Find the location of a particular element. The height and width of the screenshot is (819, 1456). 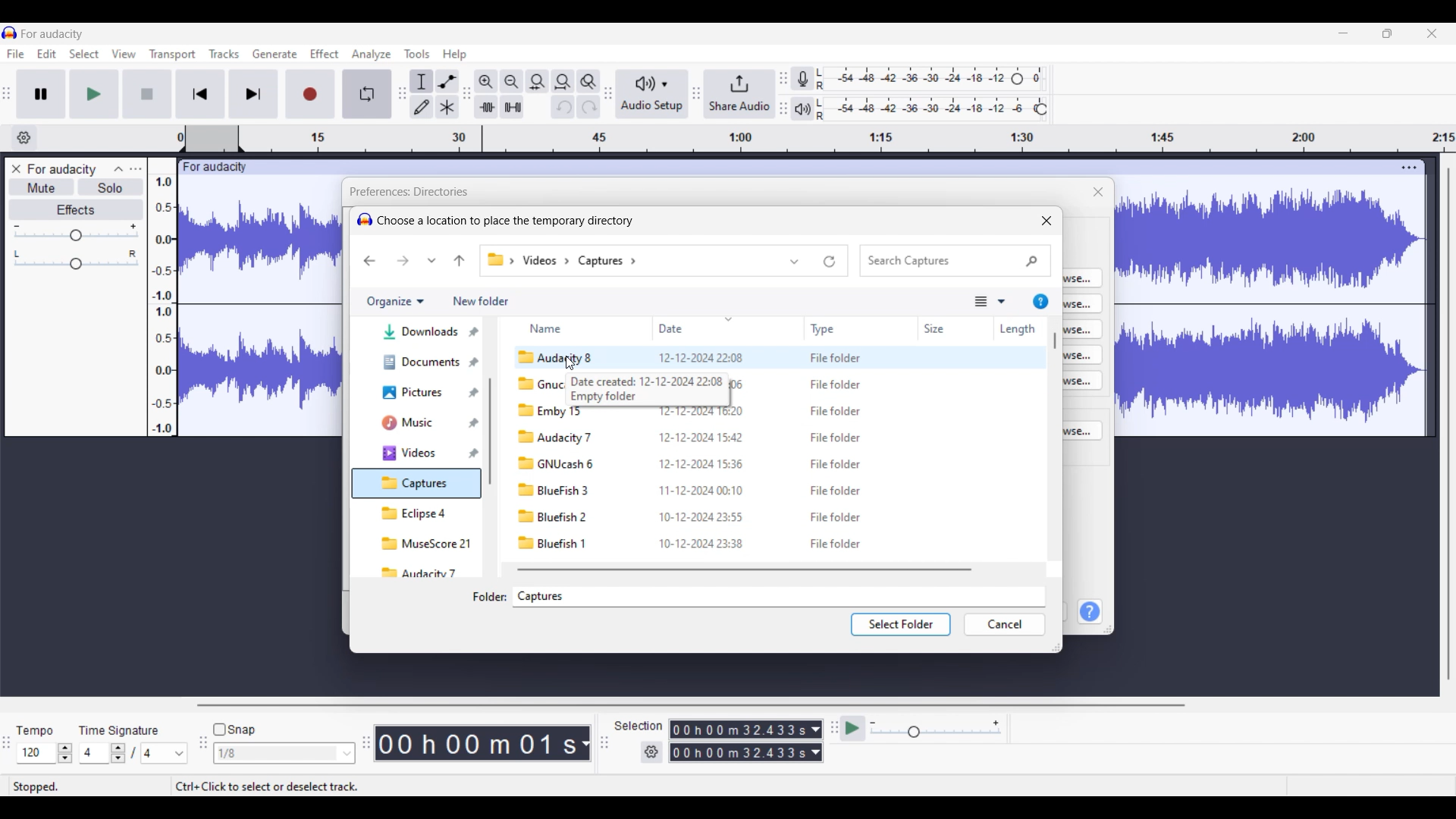

Date column, current sorting is located at coordinates (697, 326).